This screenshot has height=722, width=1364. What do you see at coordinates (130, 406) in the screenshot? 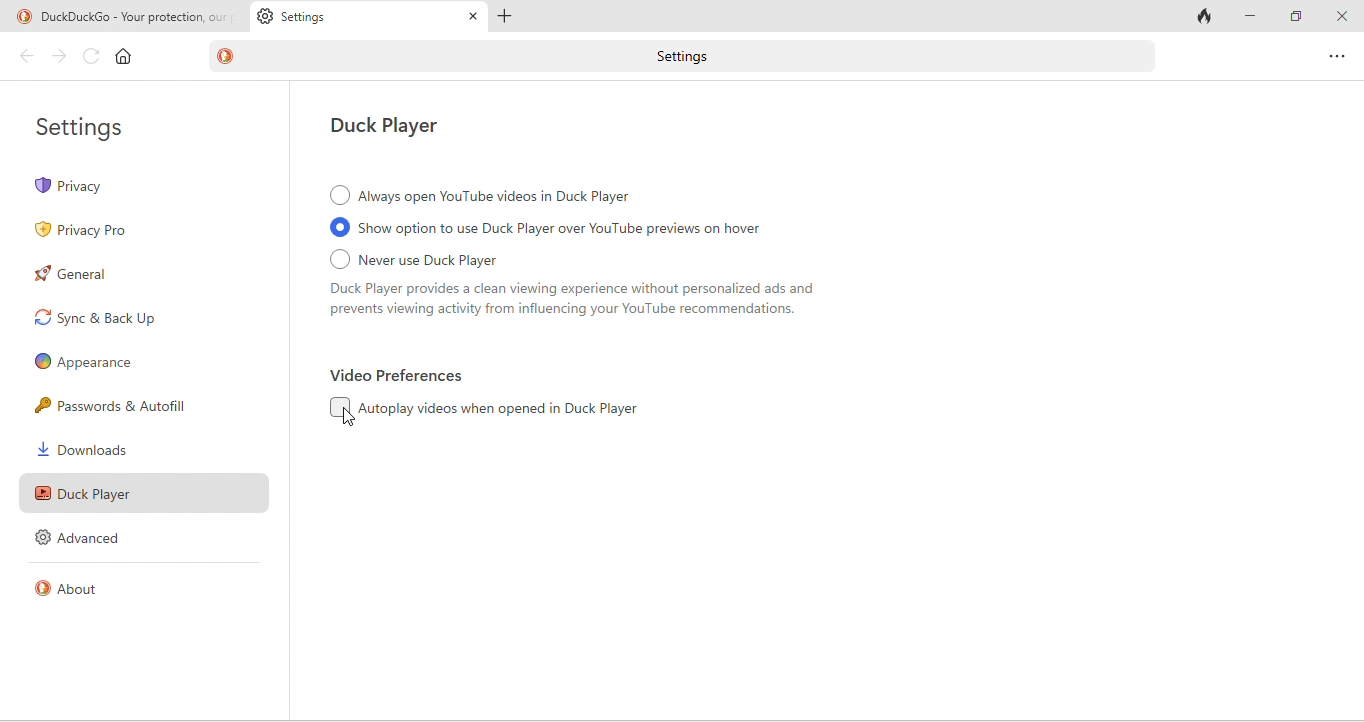
I see `passwords and autofill` at bounding box center [130, 406].